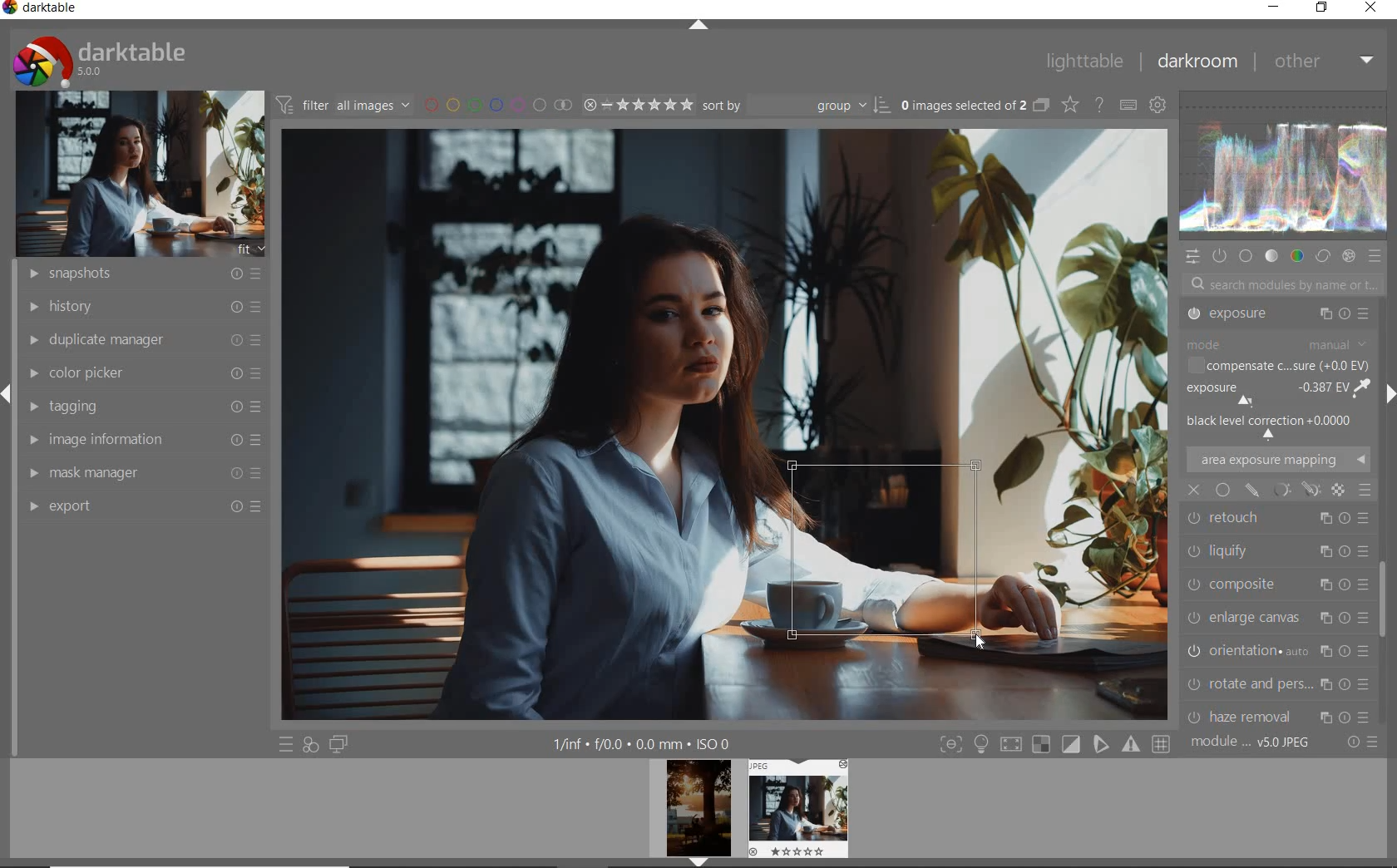 The image size is (1397, 868). What do you see at coordinates (1376, 257) in the screenshot?
I see `PRESET` at bounding box center [1376, 257].